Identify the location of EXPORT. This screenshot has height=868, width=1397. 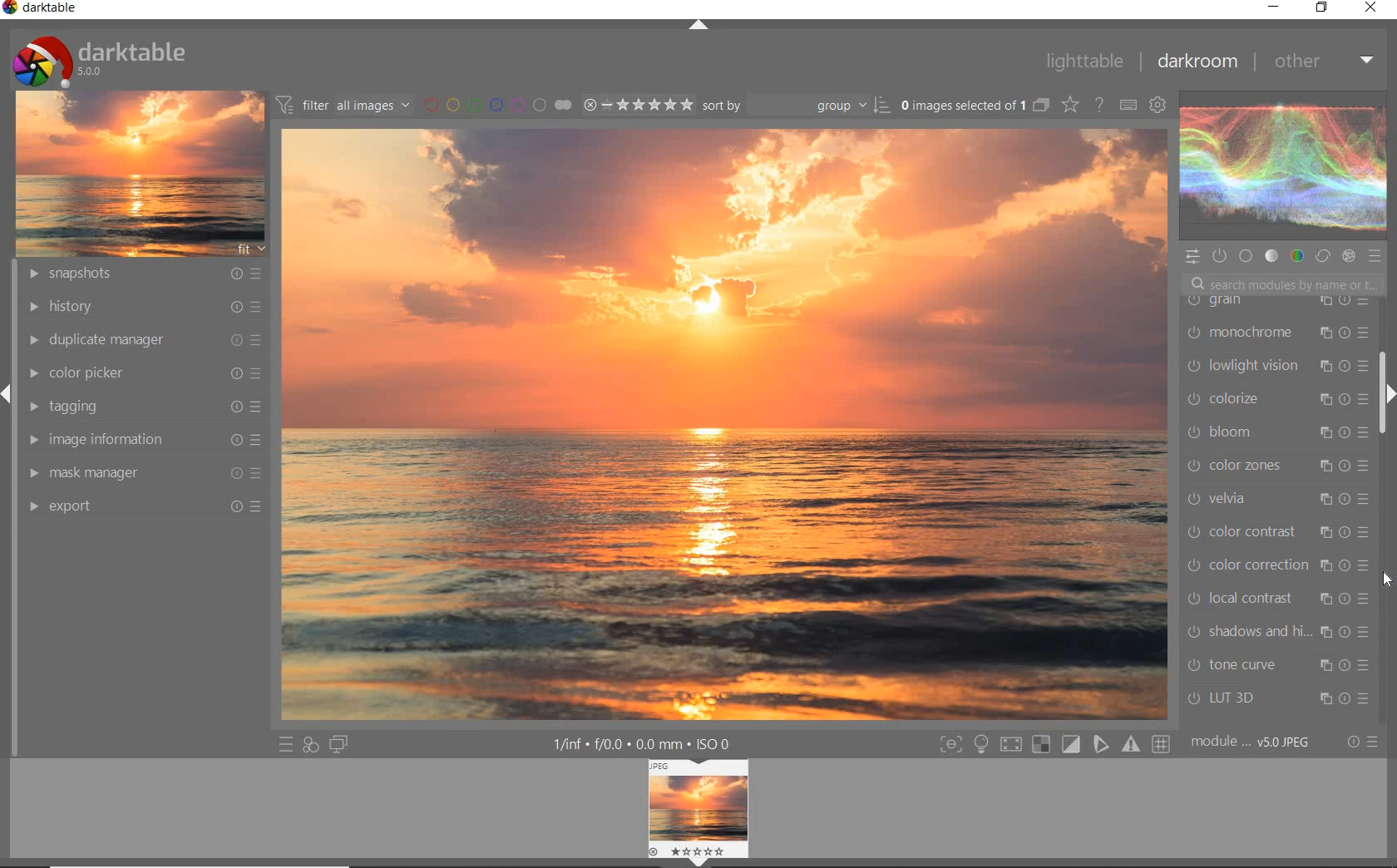
(146, 505).